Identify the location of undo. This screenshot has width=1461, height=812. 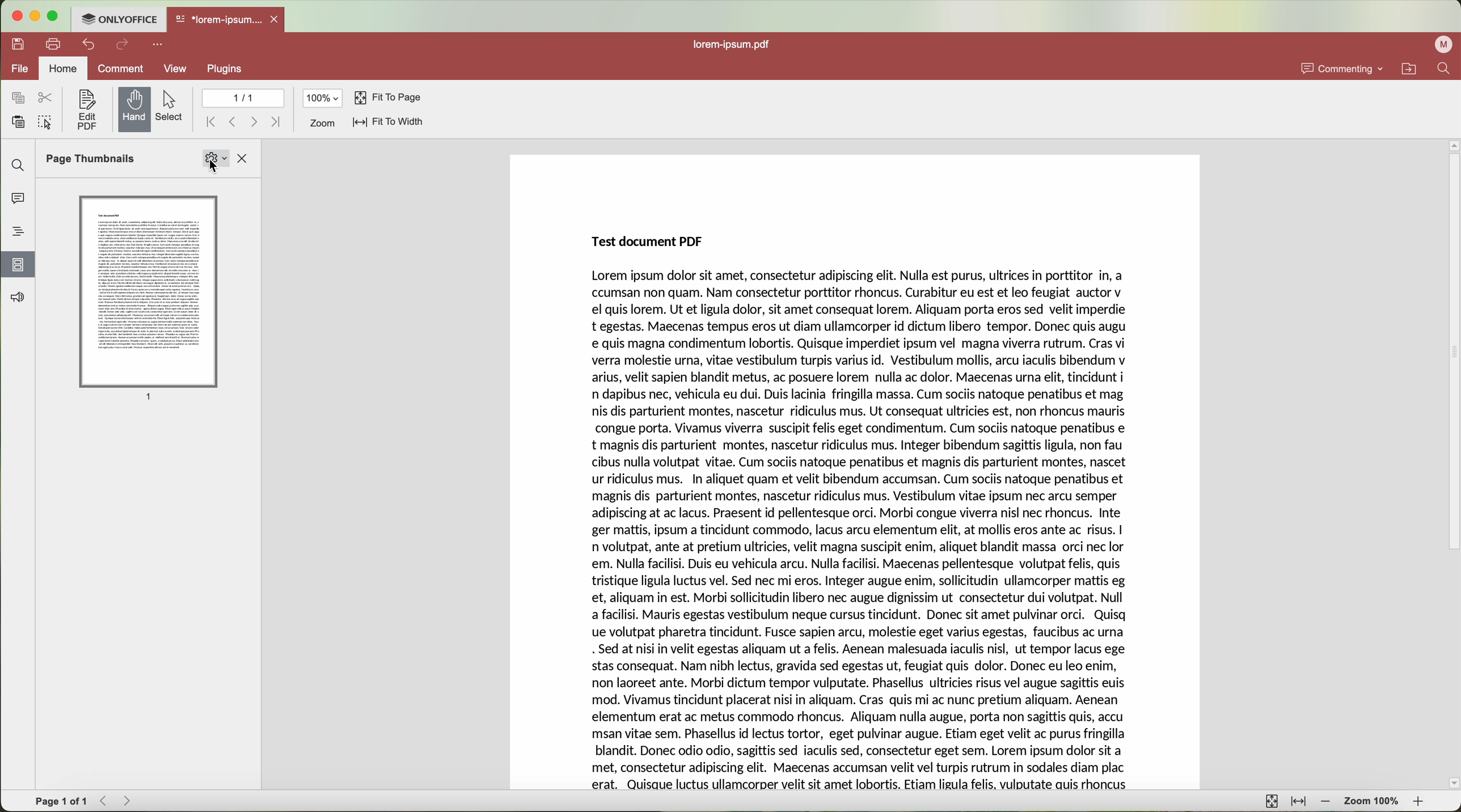
(86, 44).